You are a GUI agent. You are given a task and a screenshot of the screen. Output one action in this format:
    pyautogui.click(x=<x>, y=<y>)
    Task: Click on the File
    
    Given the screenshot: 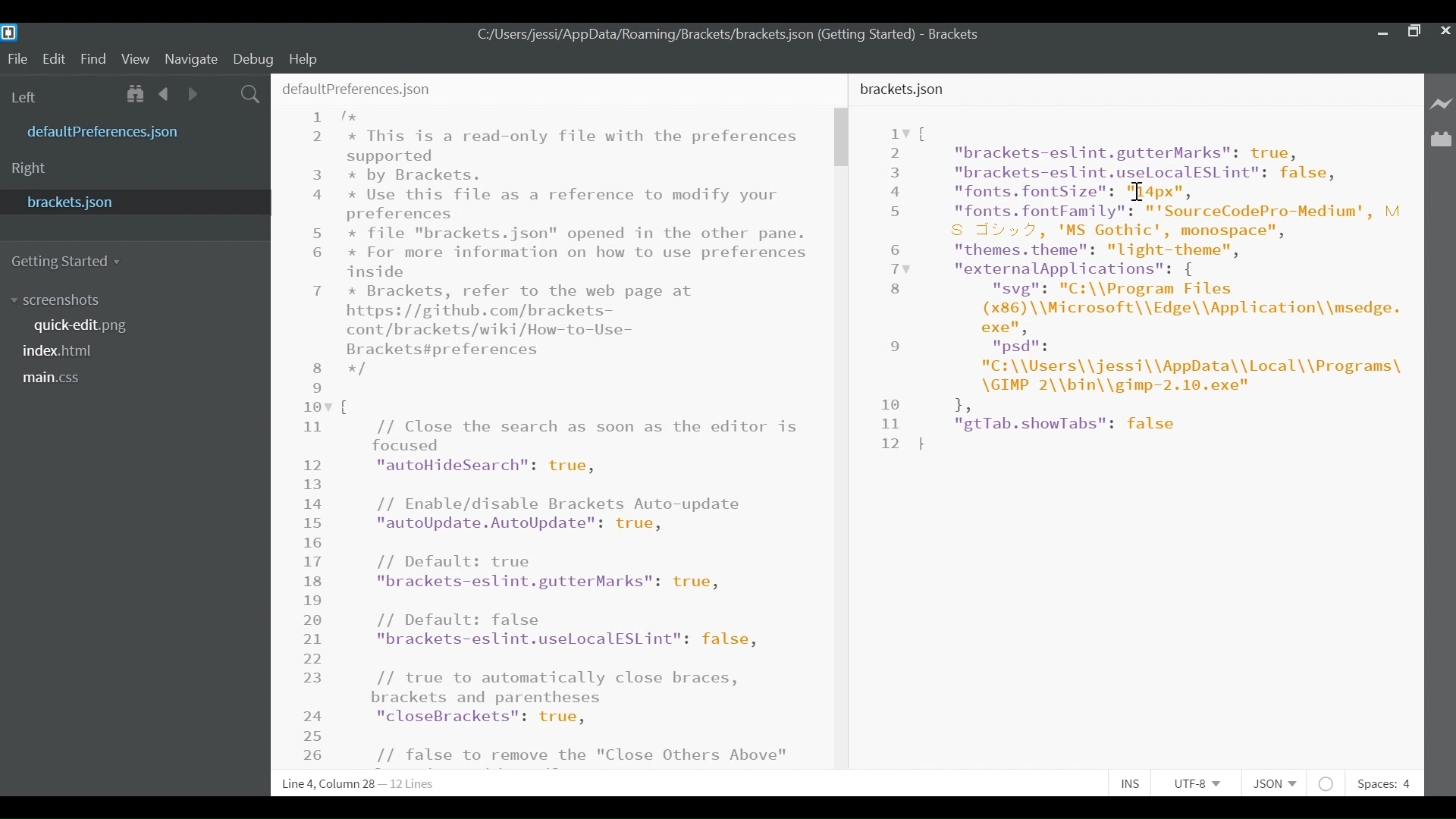 What is the action you would take?
    pyautogui.click(x=17, y=60)
    